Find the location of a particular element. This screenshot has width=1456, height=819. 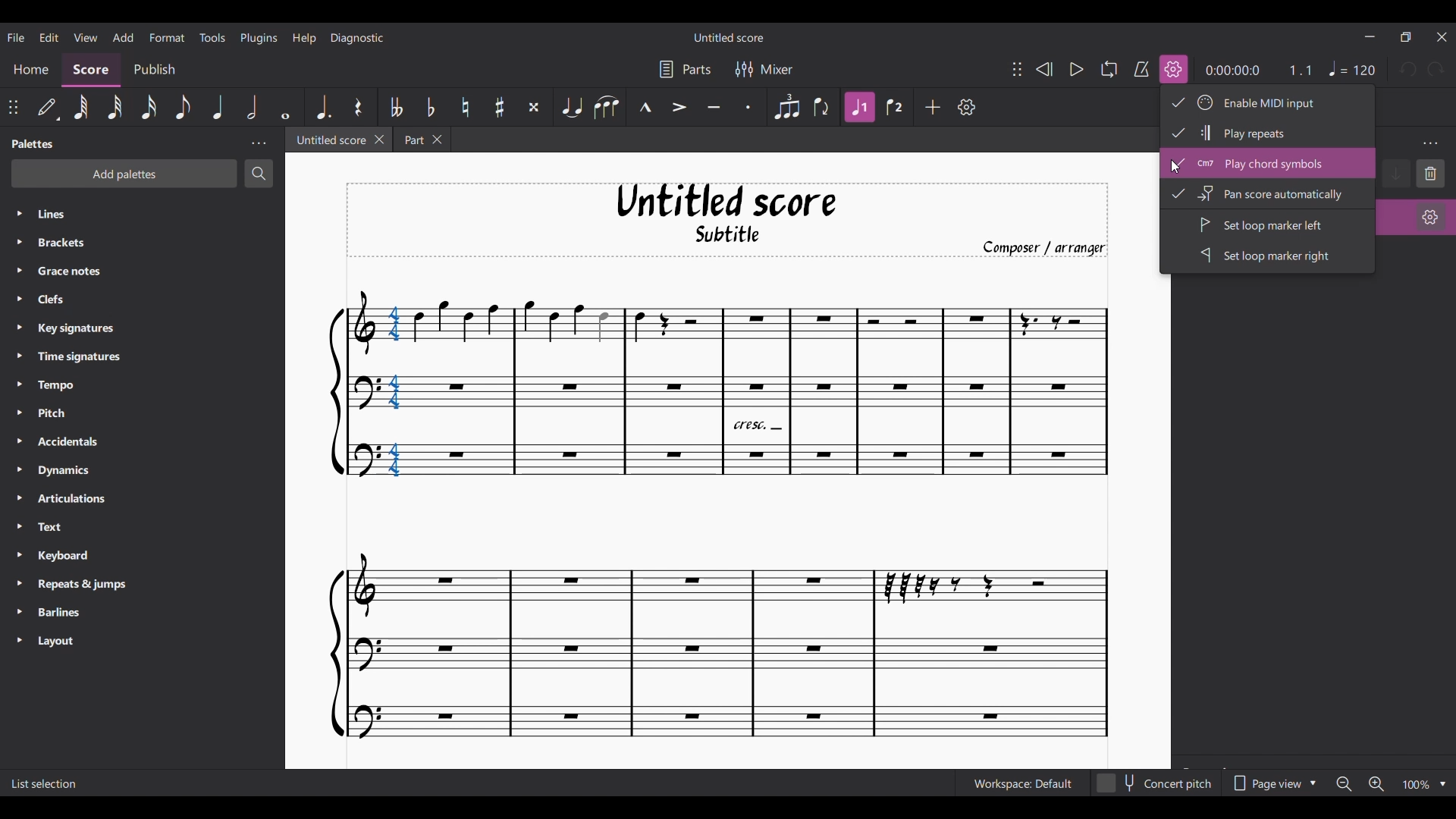

View menu is located at coordinates (85, 36).